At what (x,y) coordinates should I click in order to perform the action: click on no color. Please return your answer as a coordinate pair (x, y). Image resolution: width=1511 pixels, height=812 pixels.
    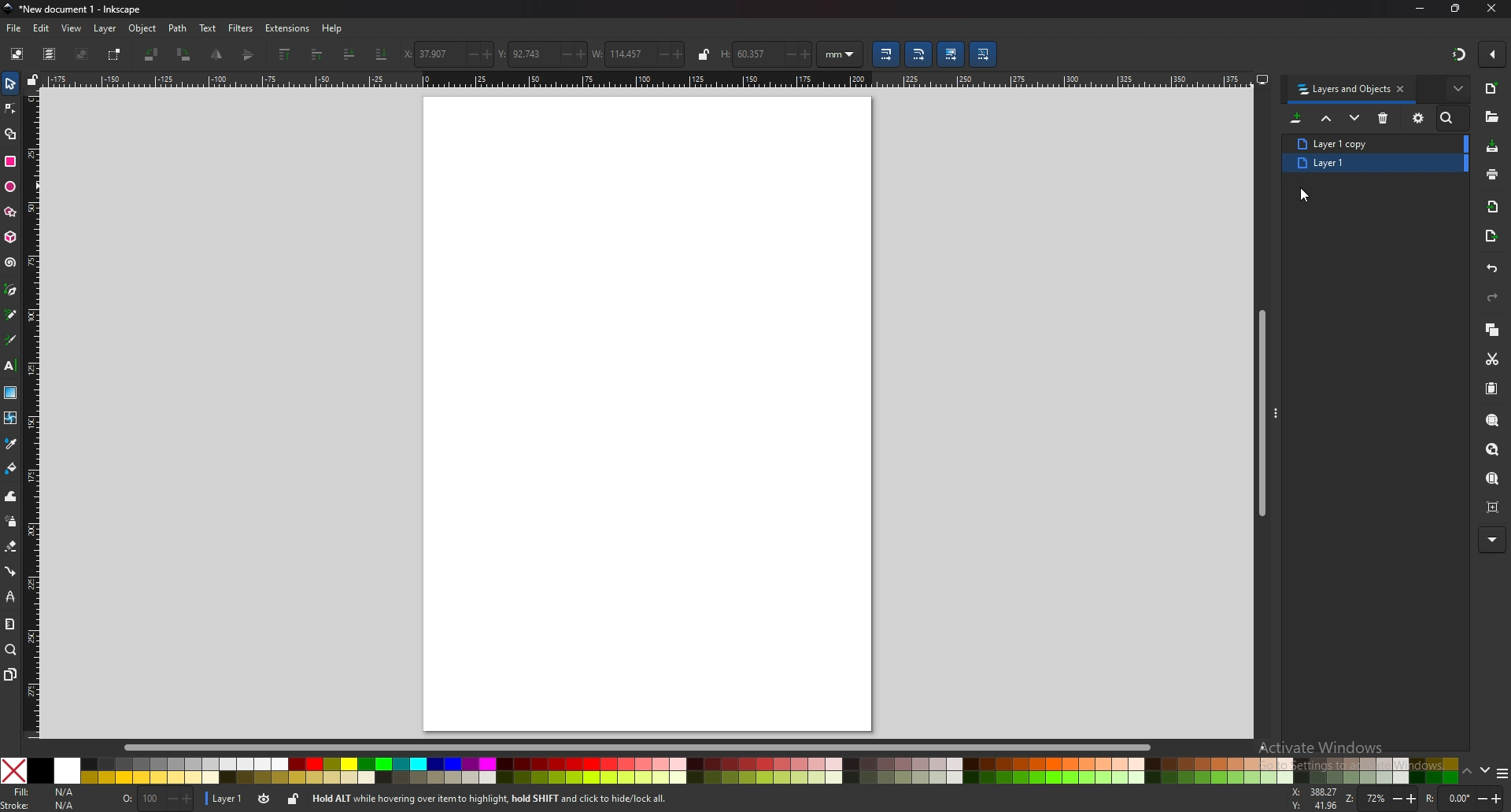
    Looking at the image, I should click on (13, 770).